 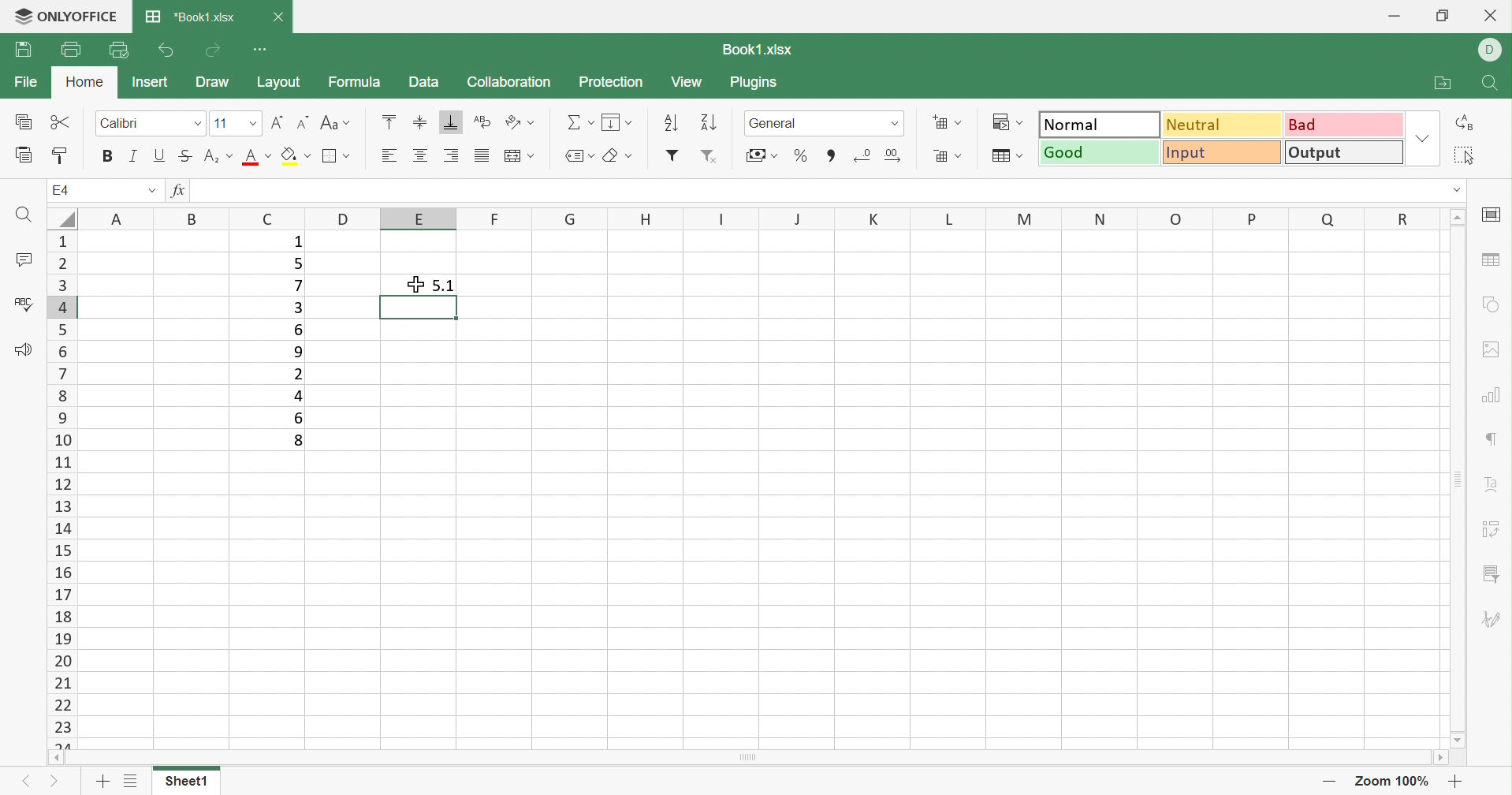 What do you see at coordinates (669, 155) in the screenshot?
I see `Filter` at bounding box center [669, 155].